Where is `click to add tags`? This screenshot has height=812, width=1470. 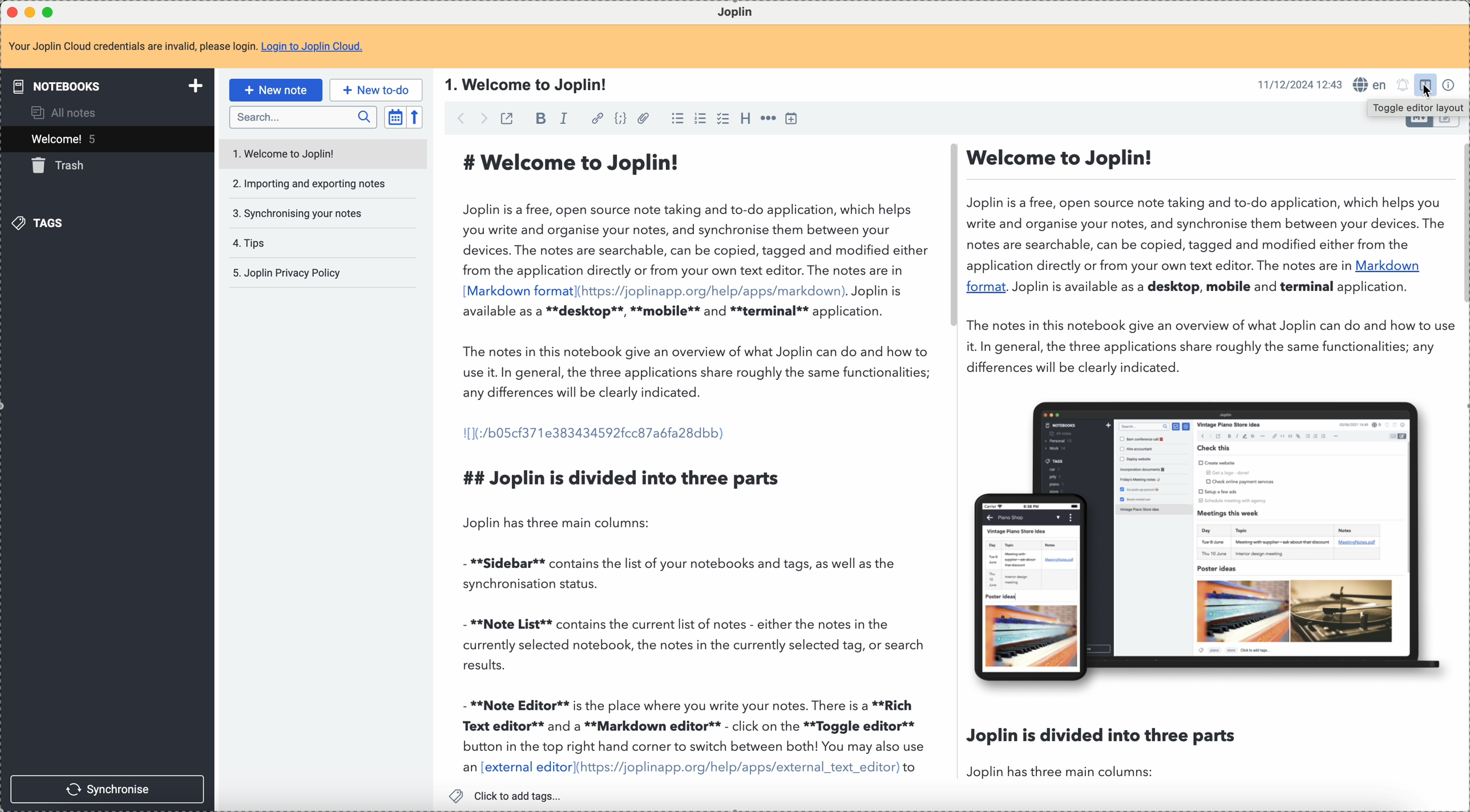 click to add tags is located at coordinates (509, 796).